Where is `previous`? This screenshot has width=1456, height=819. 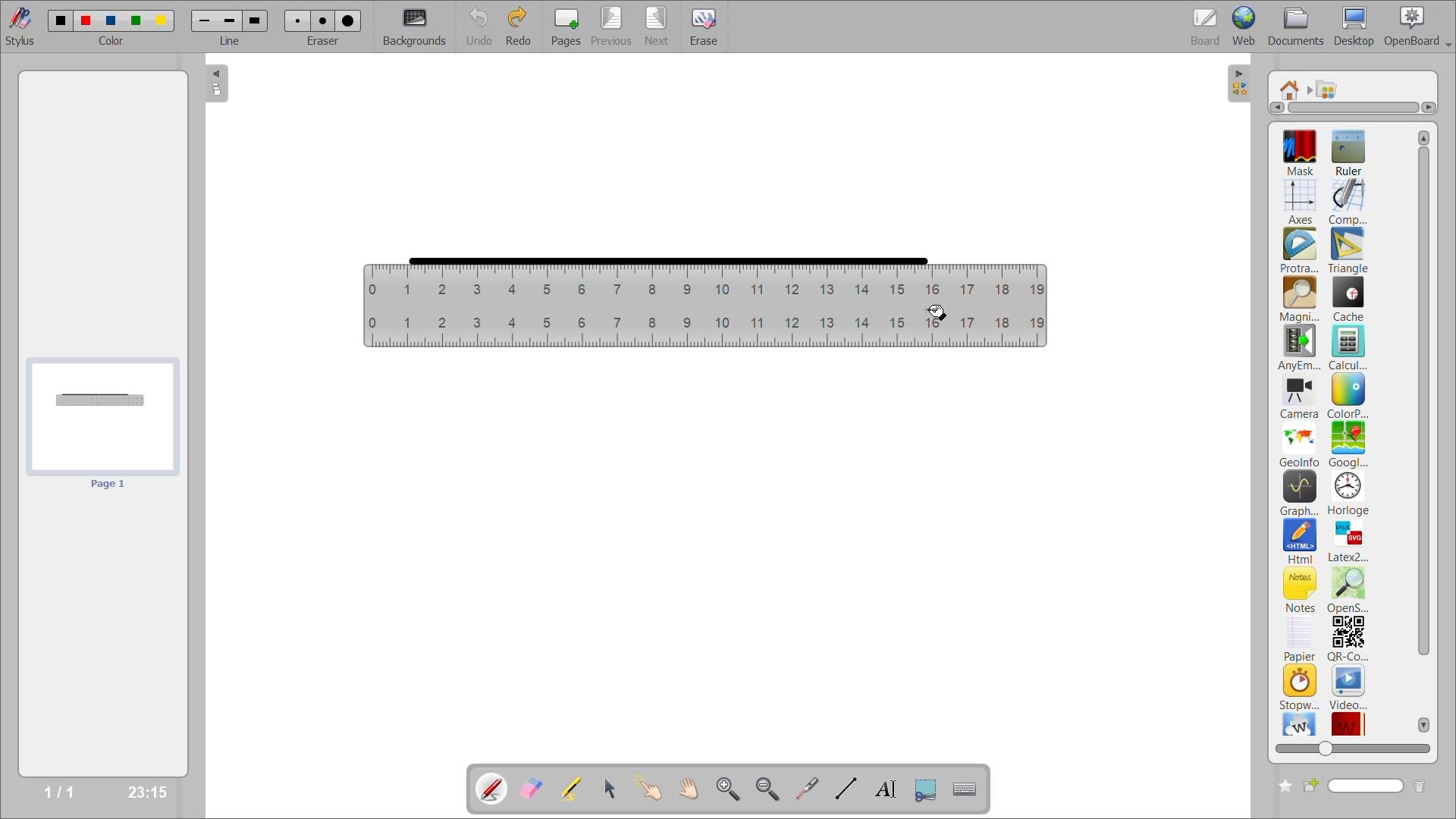
previous is located at coordinates (612, 25).